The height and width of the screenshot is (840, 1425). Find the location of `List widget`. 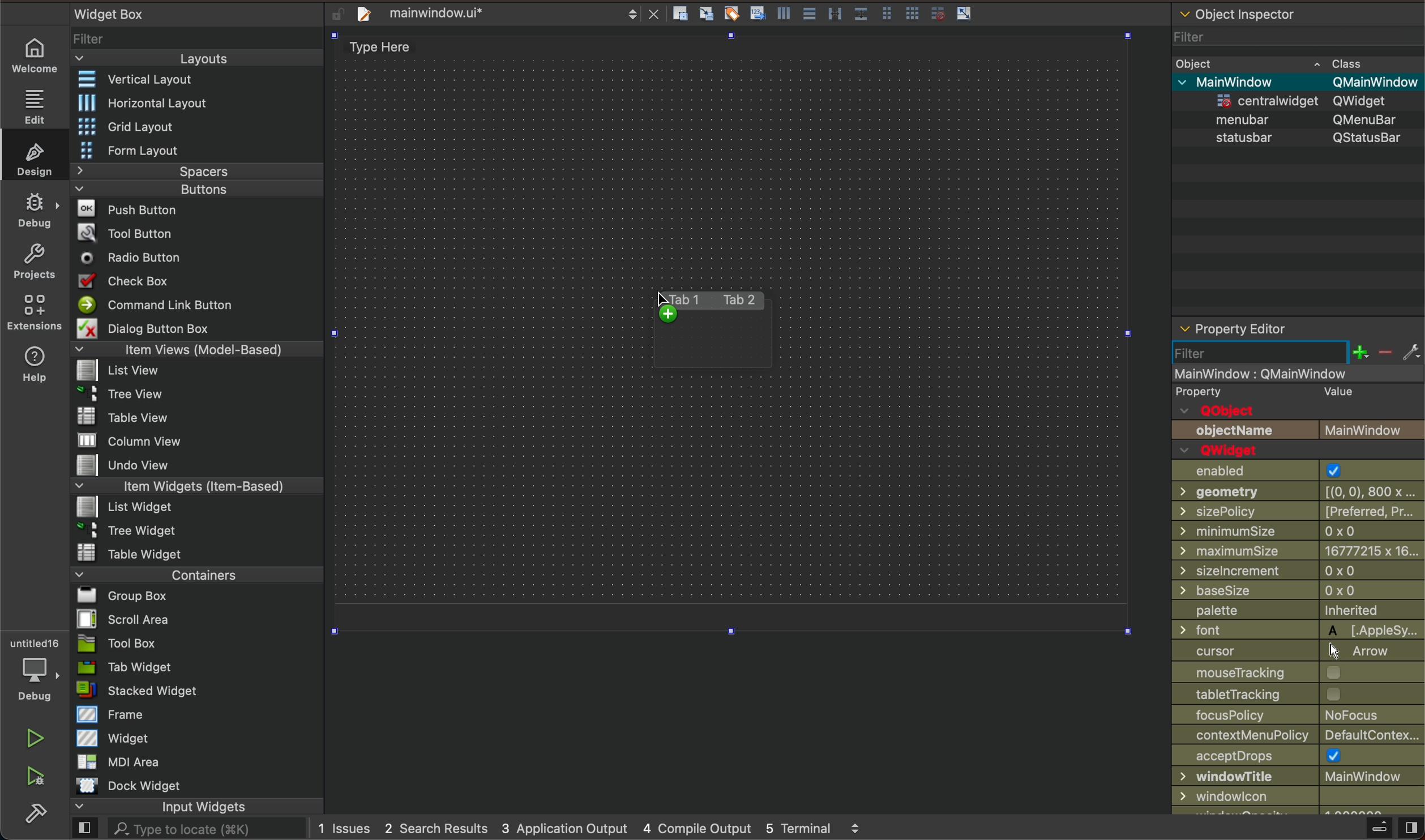

List widget is located at coordinates (119, 507).